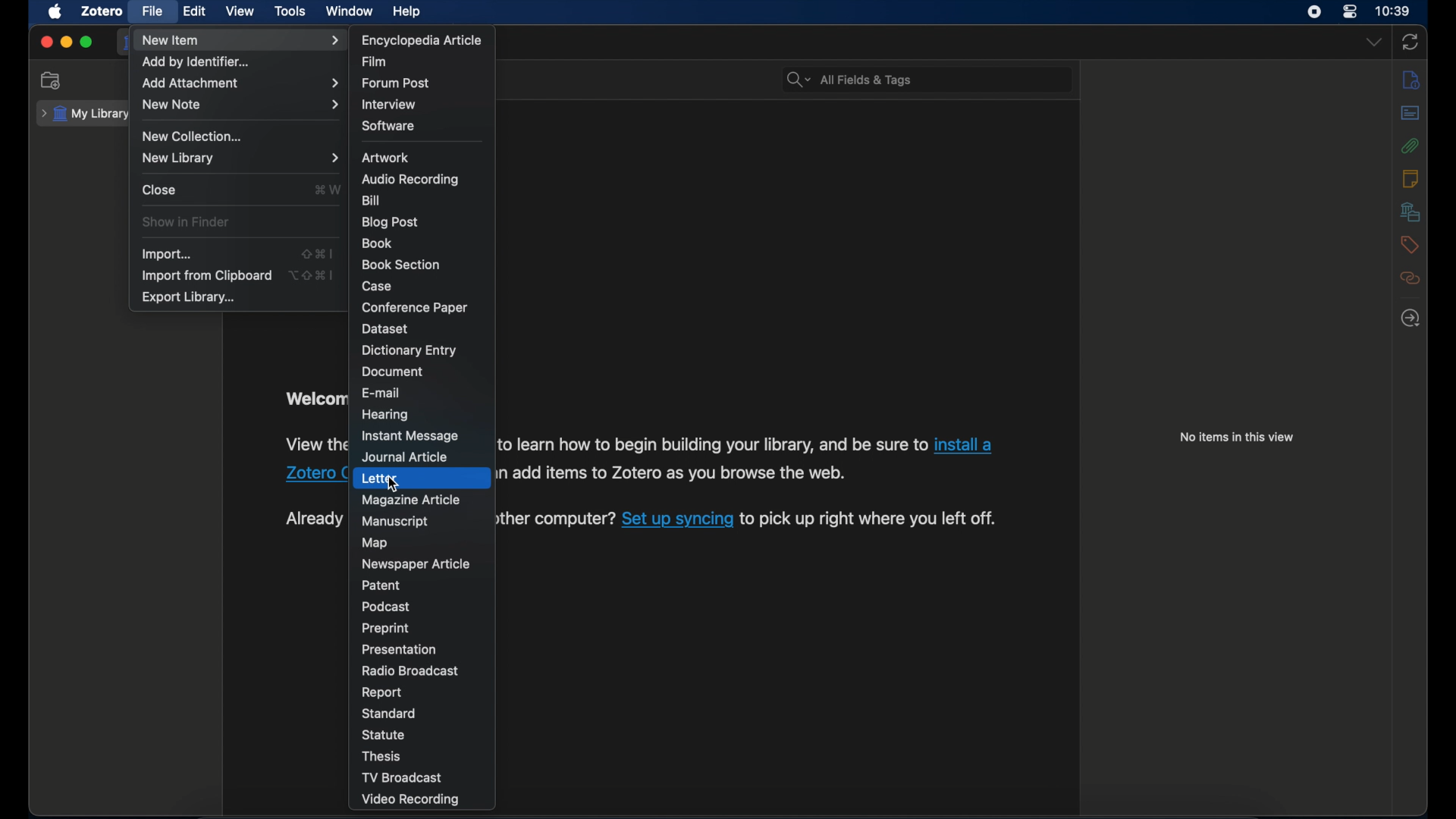  What do you see at coordinates (53, 81) in the screenshot?
I see `new collection` at bounding box center [53, 81].